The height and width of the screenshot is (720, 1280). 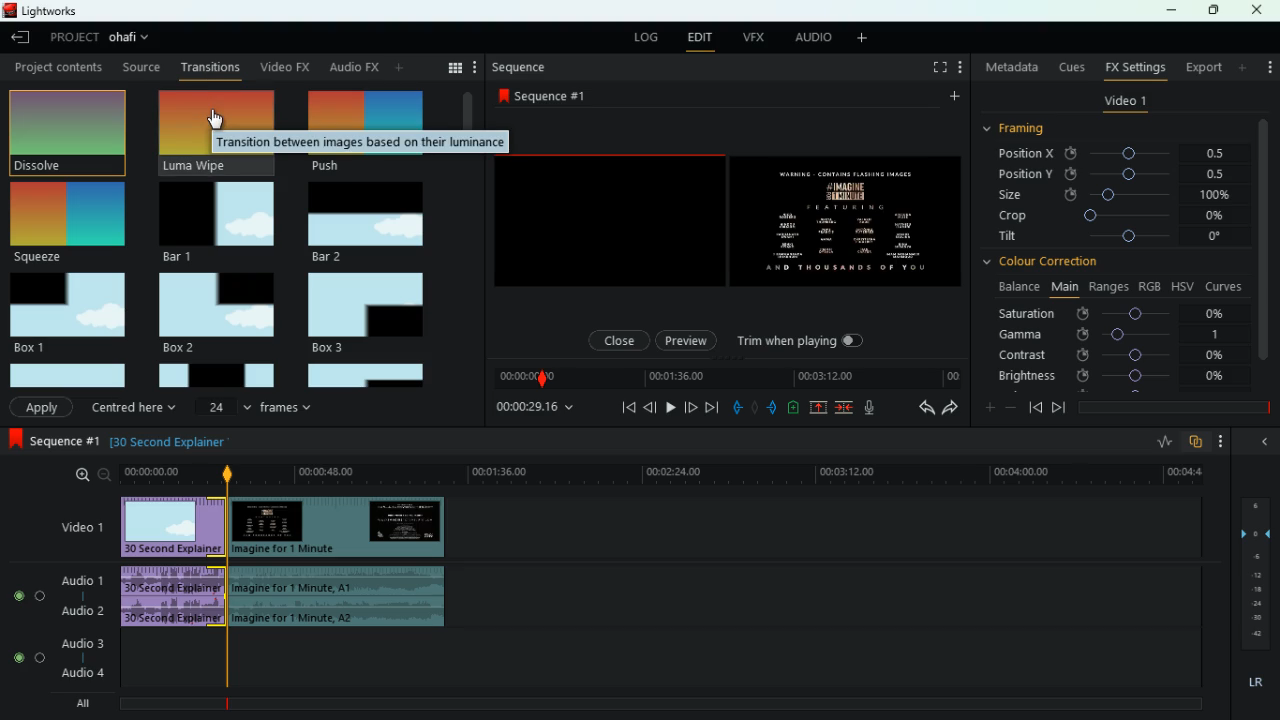 I want to click on vertical scroll bar, so click(x=1264, y=253).